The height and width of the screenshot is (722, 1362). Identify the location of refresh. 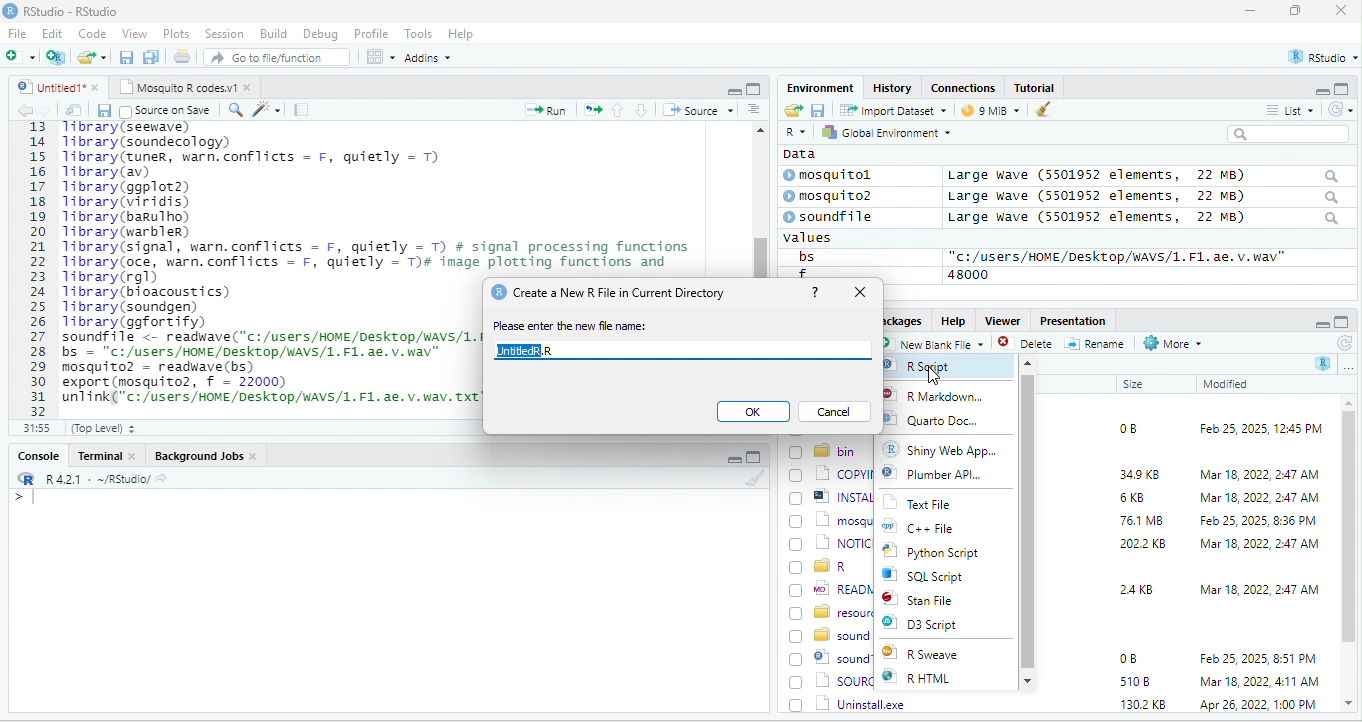
(1337, 109).